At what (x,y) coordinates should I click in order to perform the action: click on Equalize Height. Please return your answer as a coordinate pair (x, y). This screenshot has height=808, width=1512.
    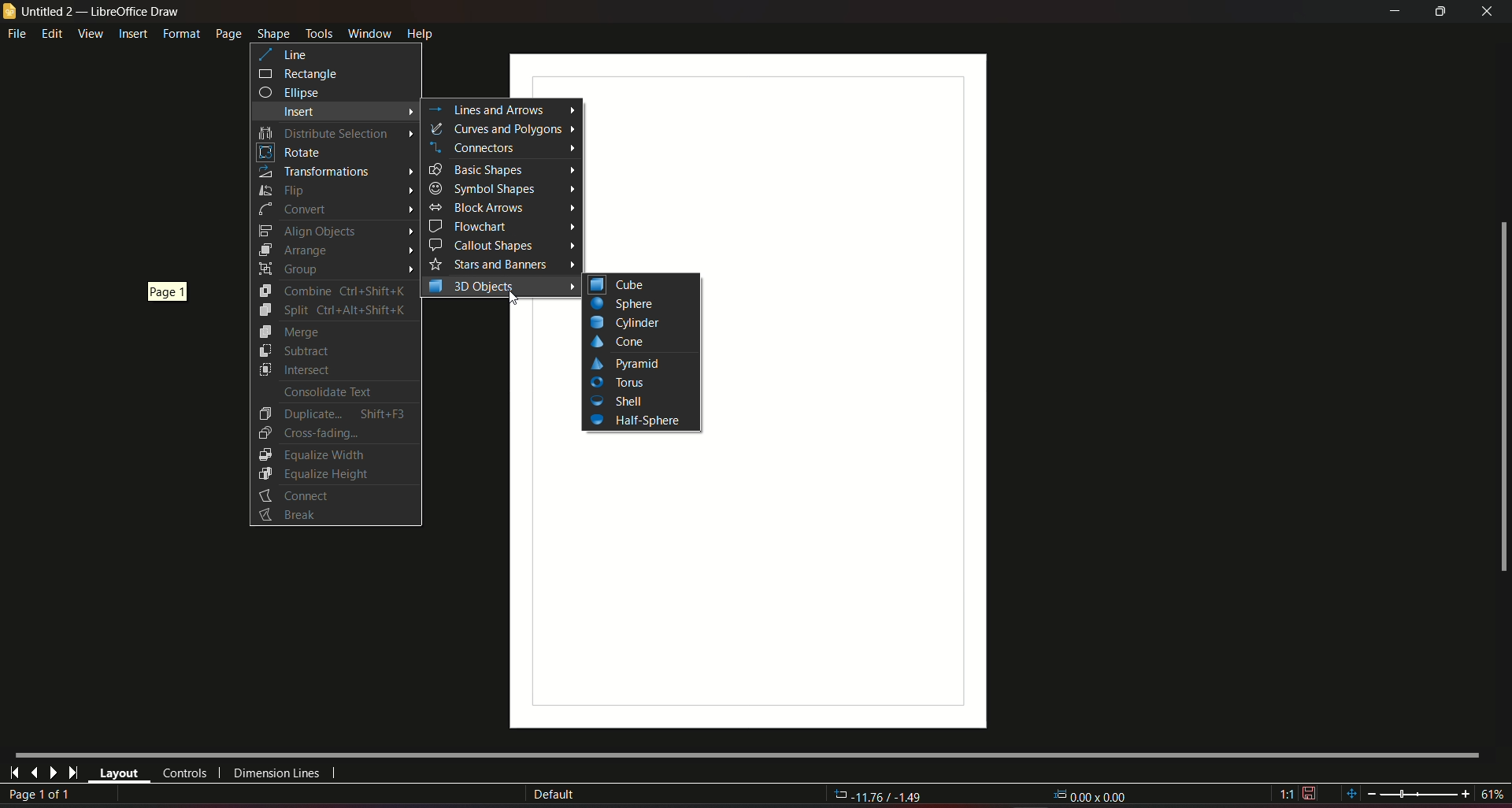
    Looking at the image, I should click on (313, 473).